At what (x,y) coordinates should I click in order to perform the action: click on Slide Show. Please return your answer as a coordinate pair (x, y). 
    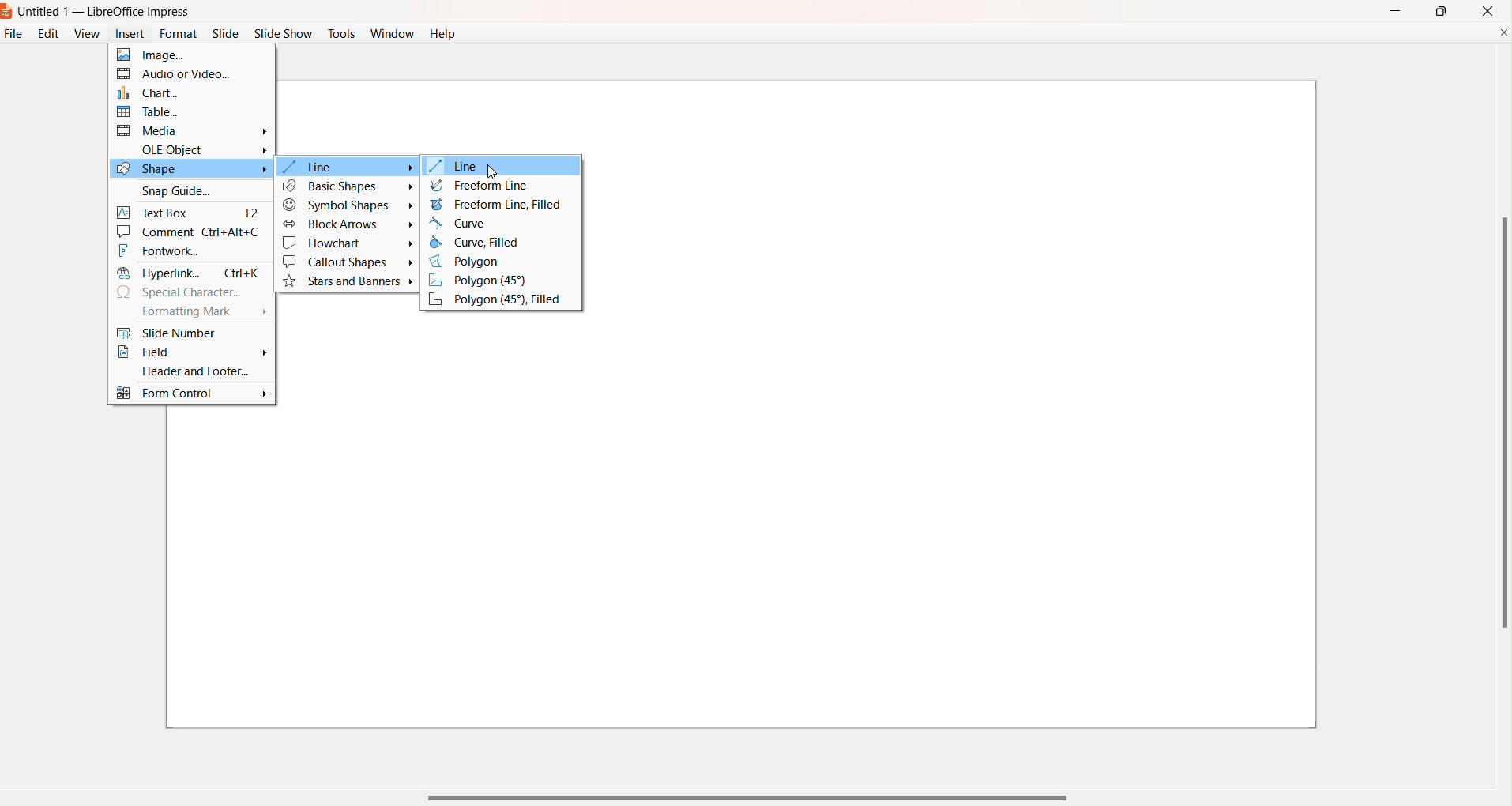
    Looking at the image, I should click on (284, 34).